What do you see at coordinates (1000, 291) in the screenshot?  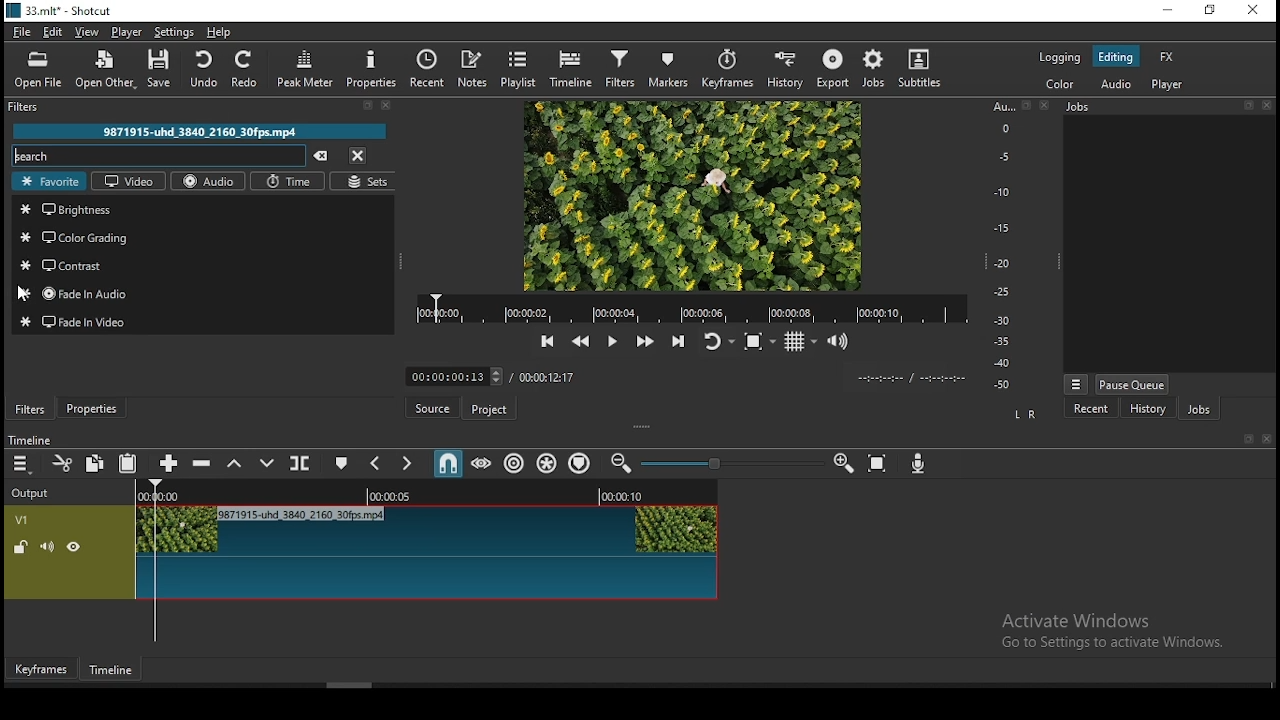 I see `-25` at bounding box center [1000, 291].